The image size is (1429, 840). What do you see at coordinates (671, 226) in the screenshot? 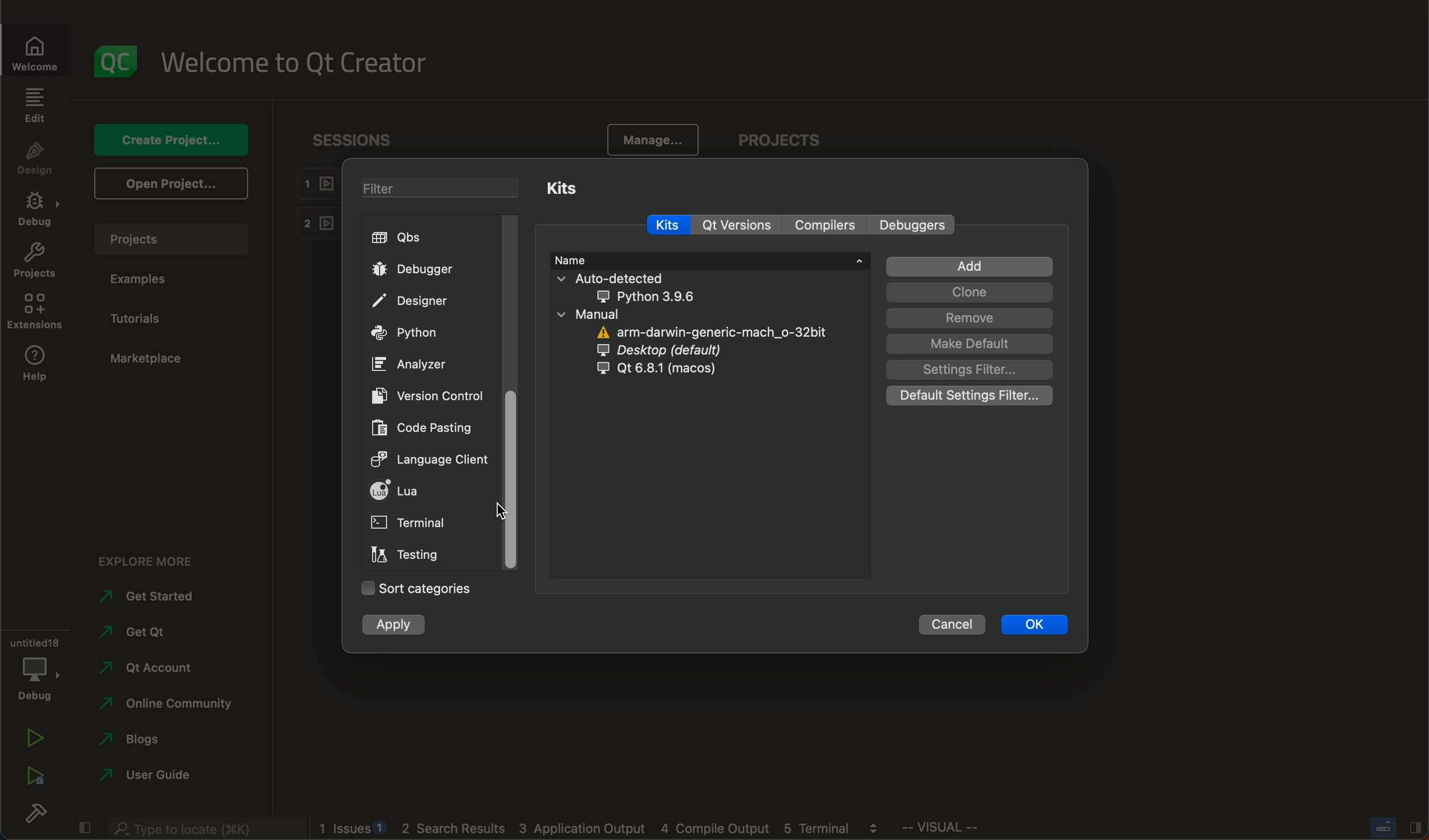
I see `kits` at bounding box center [671, 226].